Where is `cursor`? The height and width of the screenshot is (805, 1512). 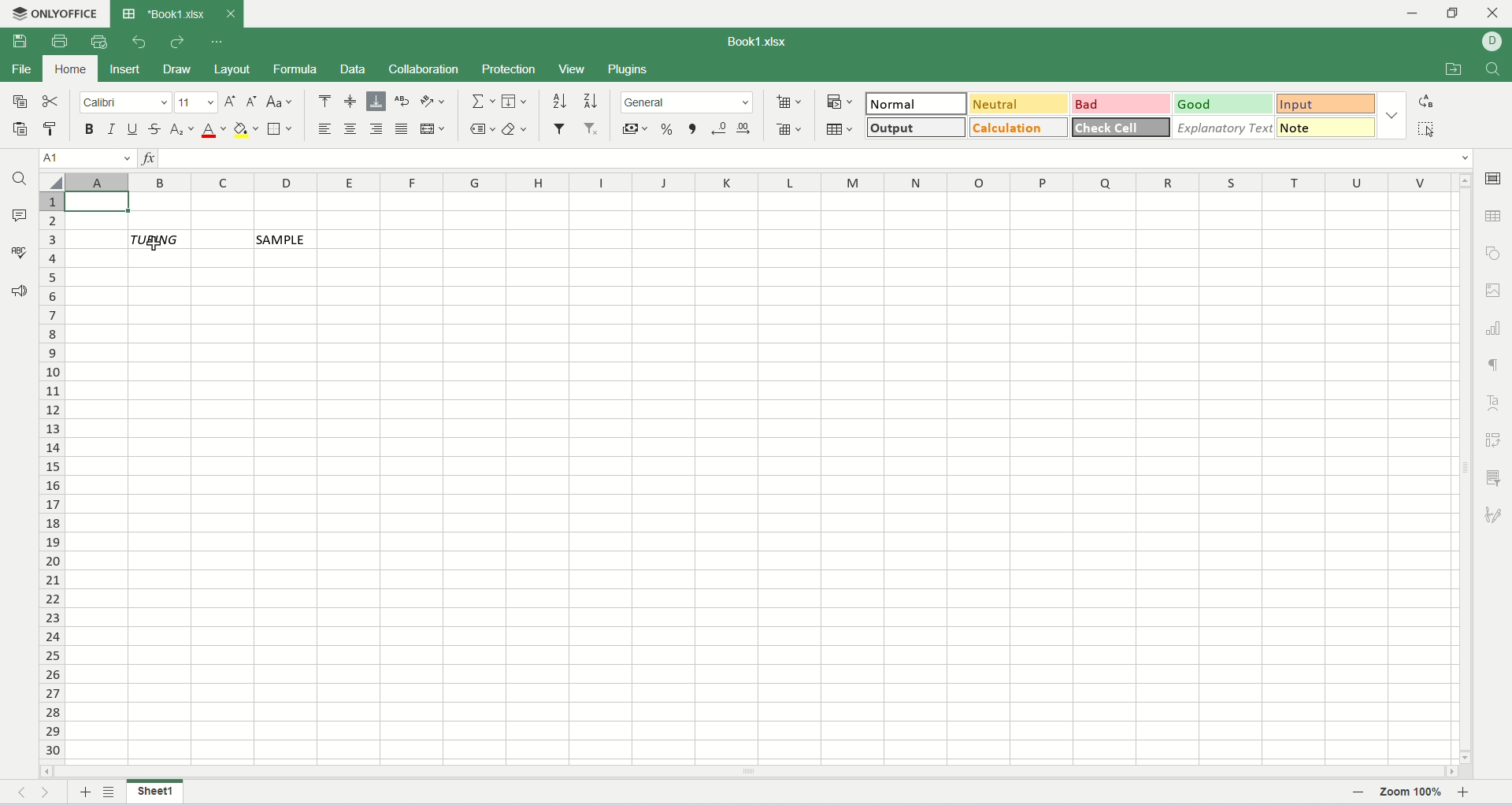 cursor is located at coordinates (157, 246).